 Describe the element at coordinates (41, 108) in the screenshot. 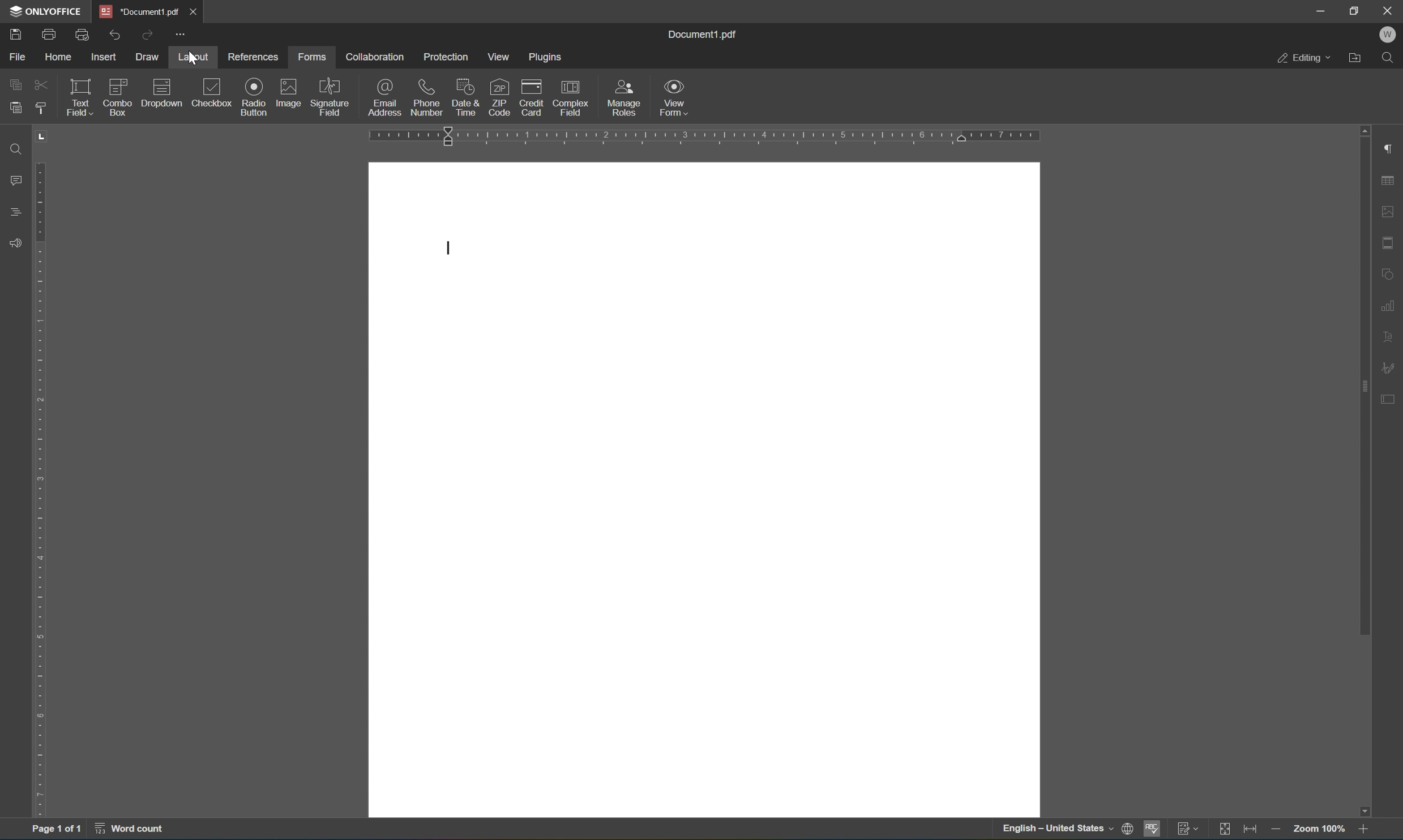

I see `copy style` at that location.